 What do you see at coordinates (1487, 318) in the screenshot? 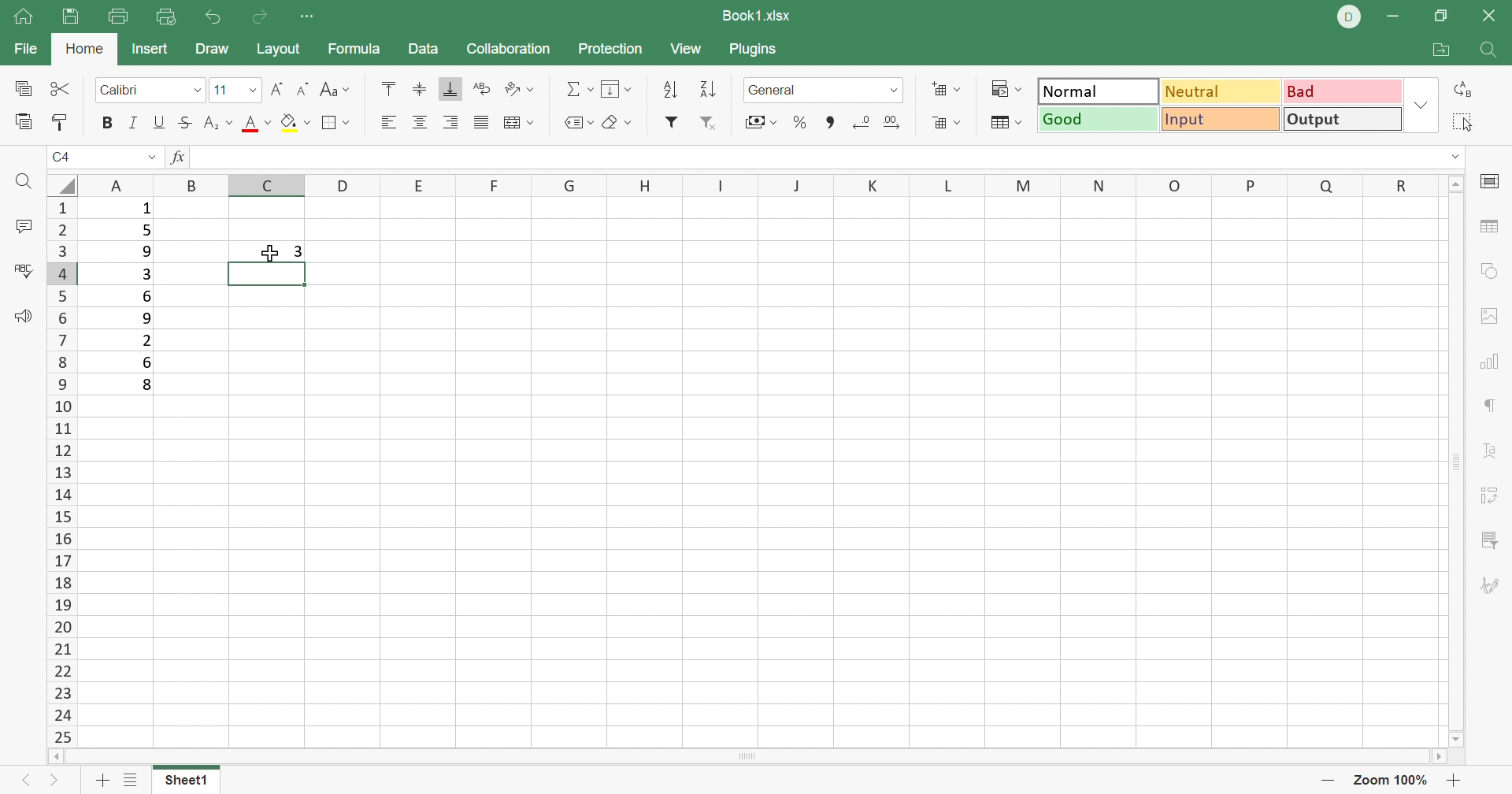
I see `Image settings` at bounding box center [1487, 318].